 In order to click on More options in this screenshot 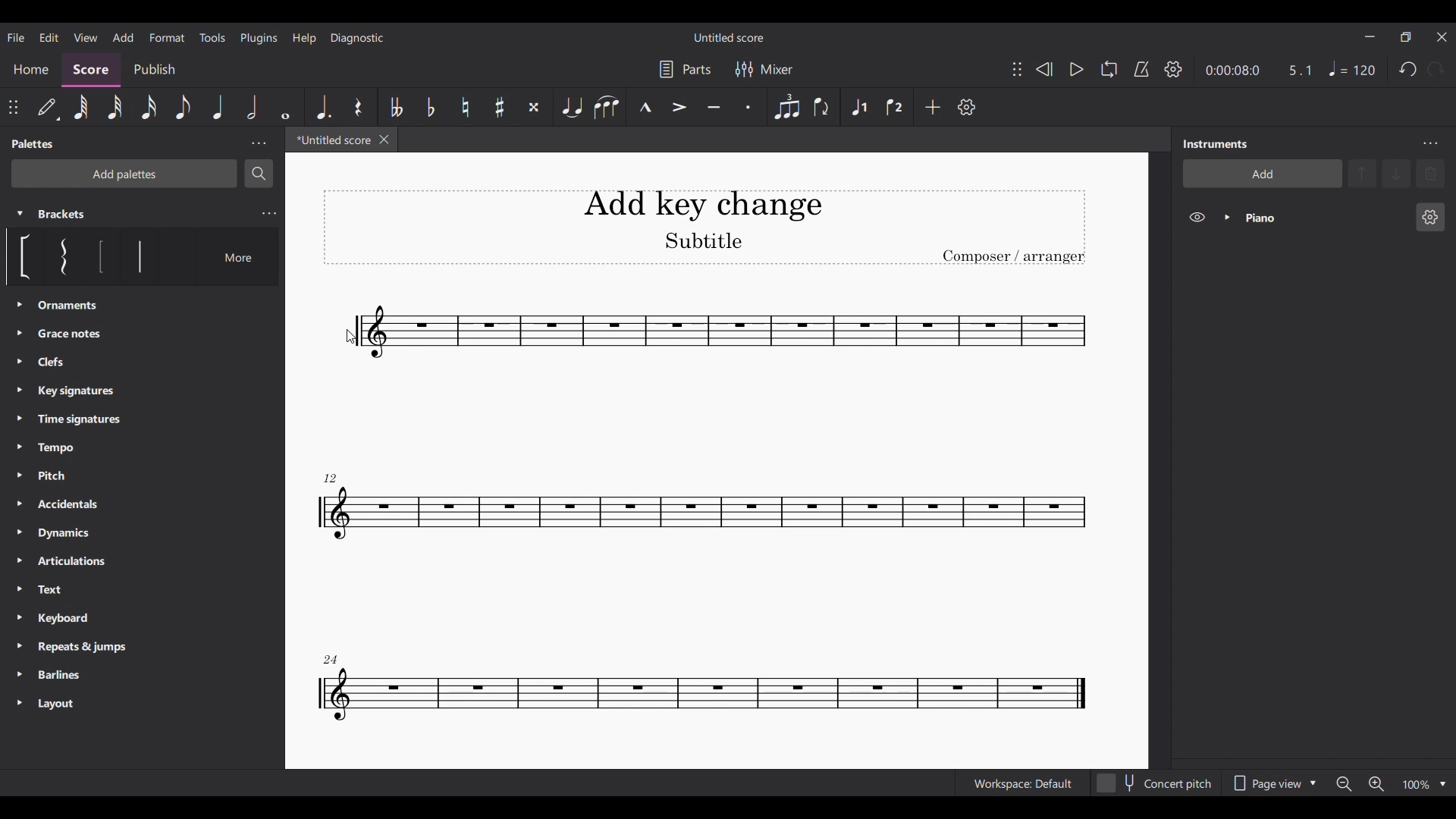, I will do `click(228, 257)`.